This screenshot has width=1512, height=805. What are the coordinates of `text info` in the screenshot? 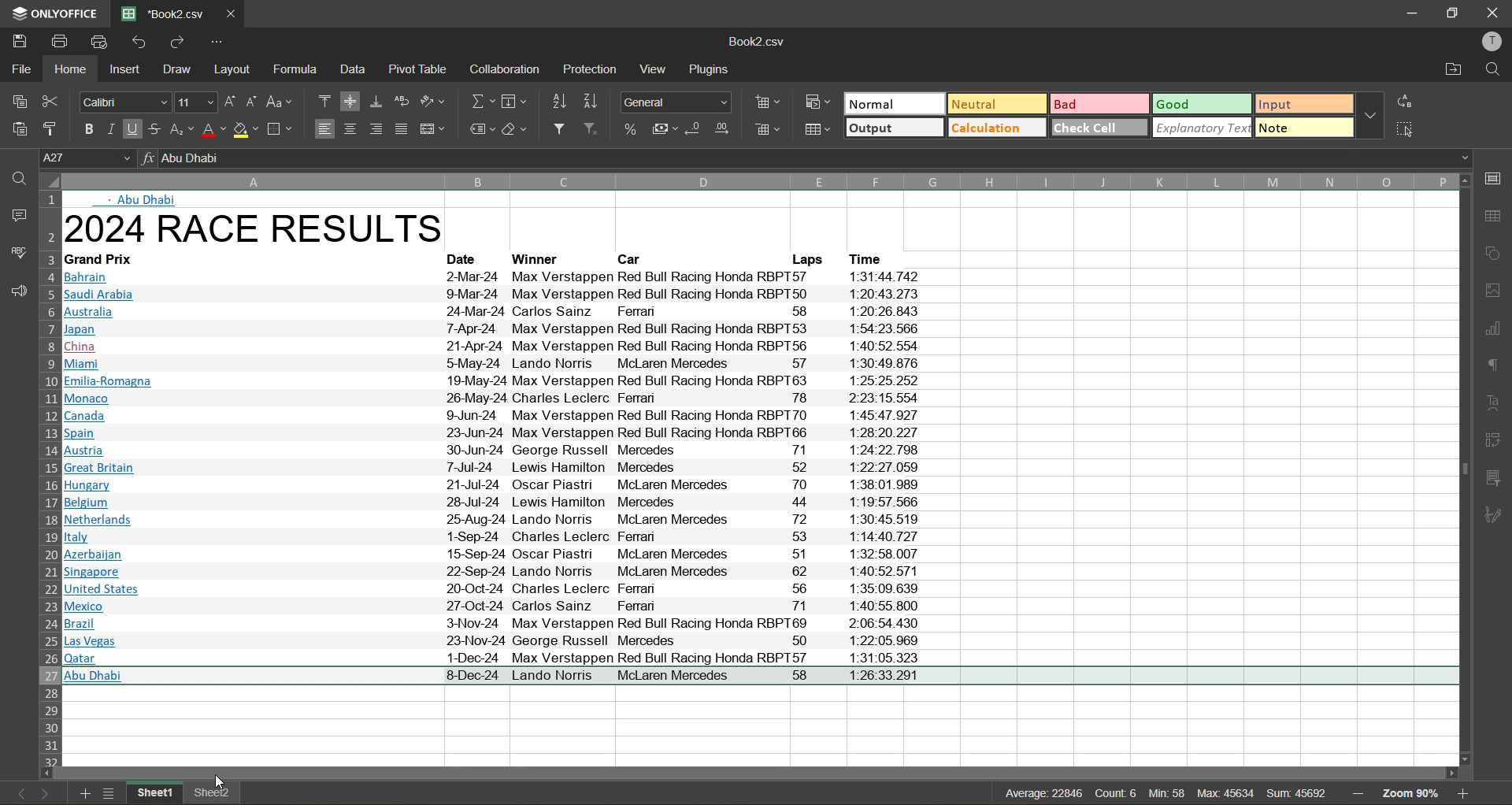 It's located at (498, 346).